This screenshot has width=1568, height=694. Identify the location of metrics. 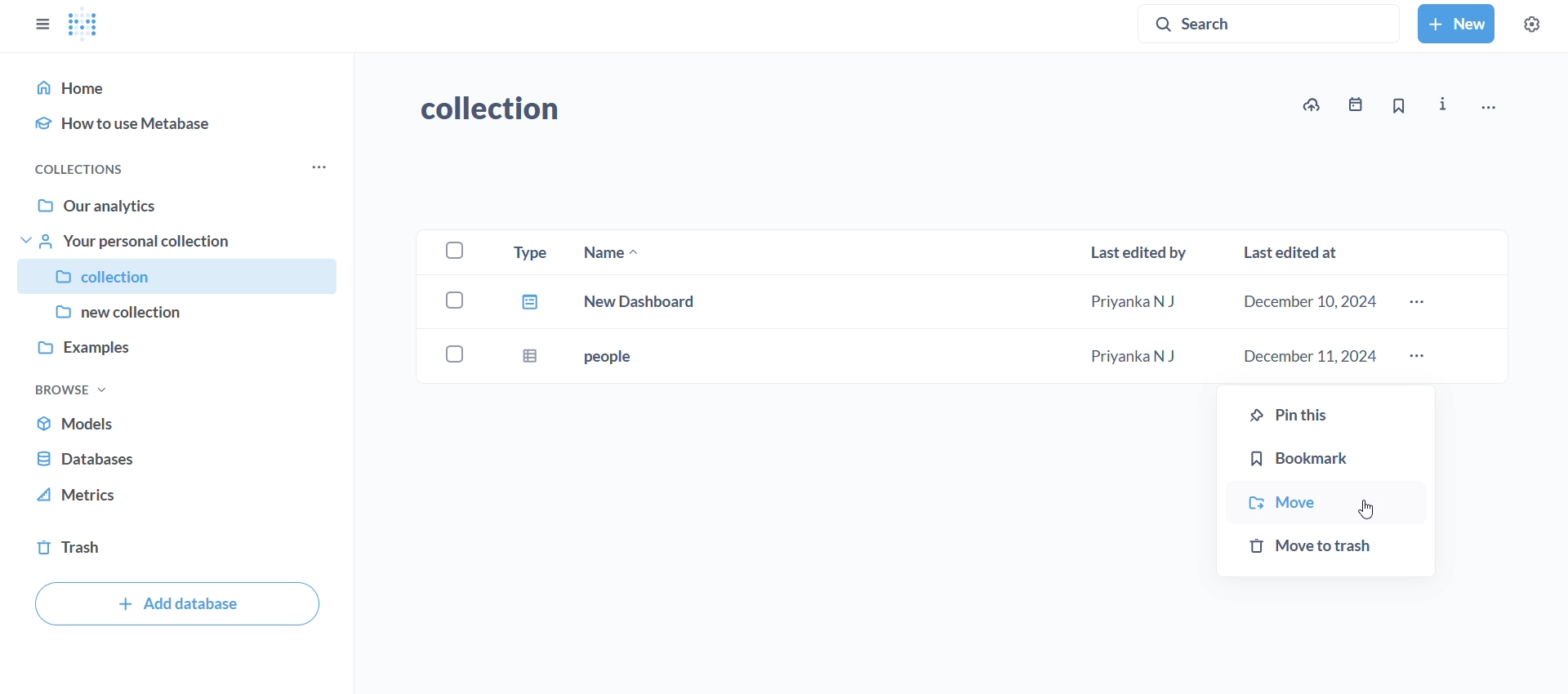
(180, 500).